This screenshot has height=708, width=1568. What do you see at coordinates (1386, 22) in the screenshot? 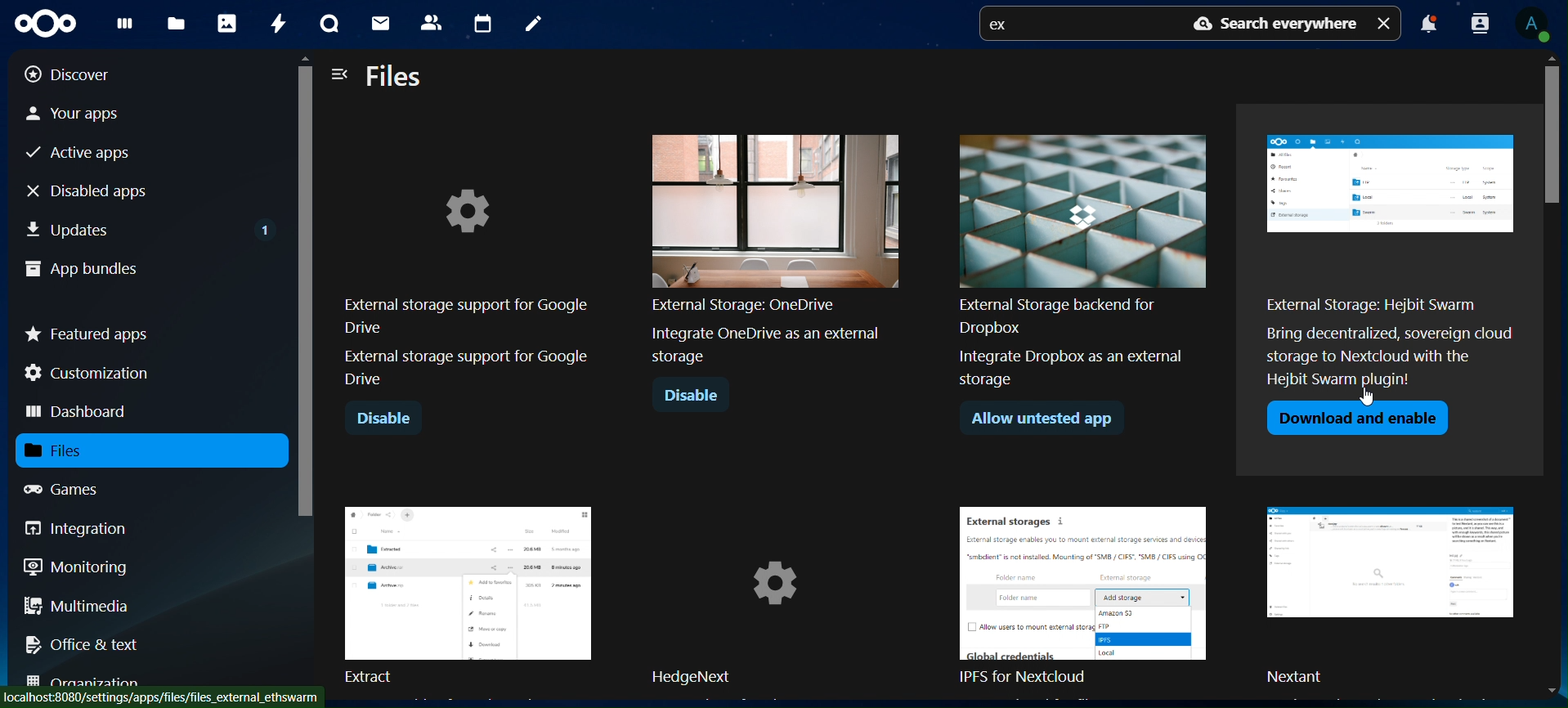
I see `close` at bounding box center [1386, 22].